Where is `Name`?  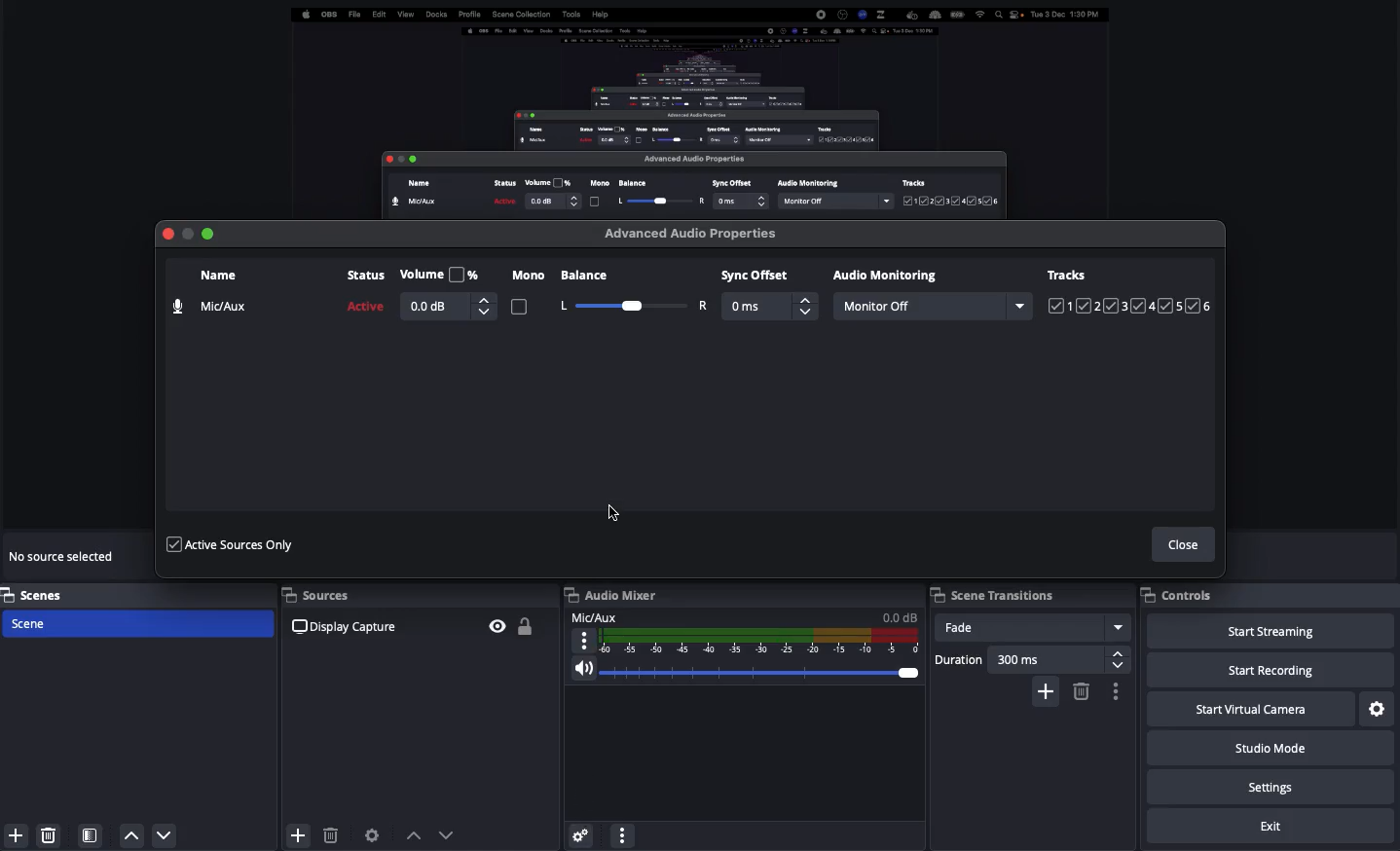
Name is located at coordinates (210, 297).